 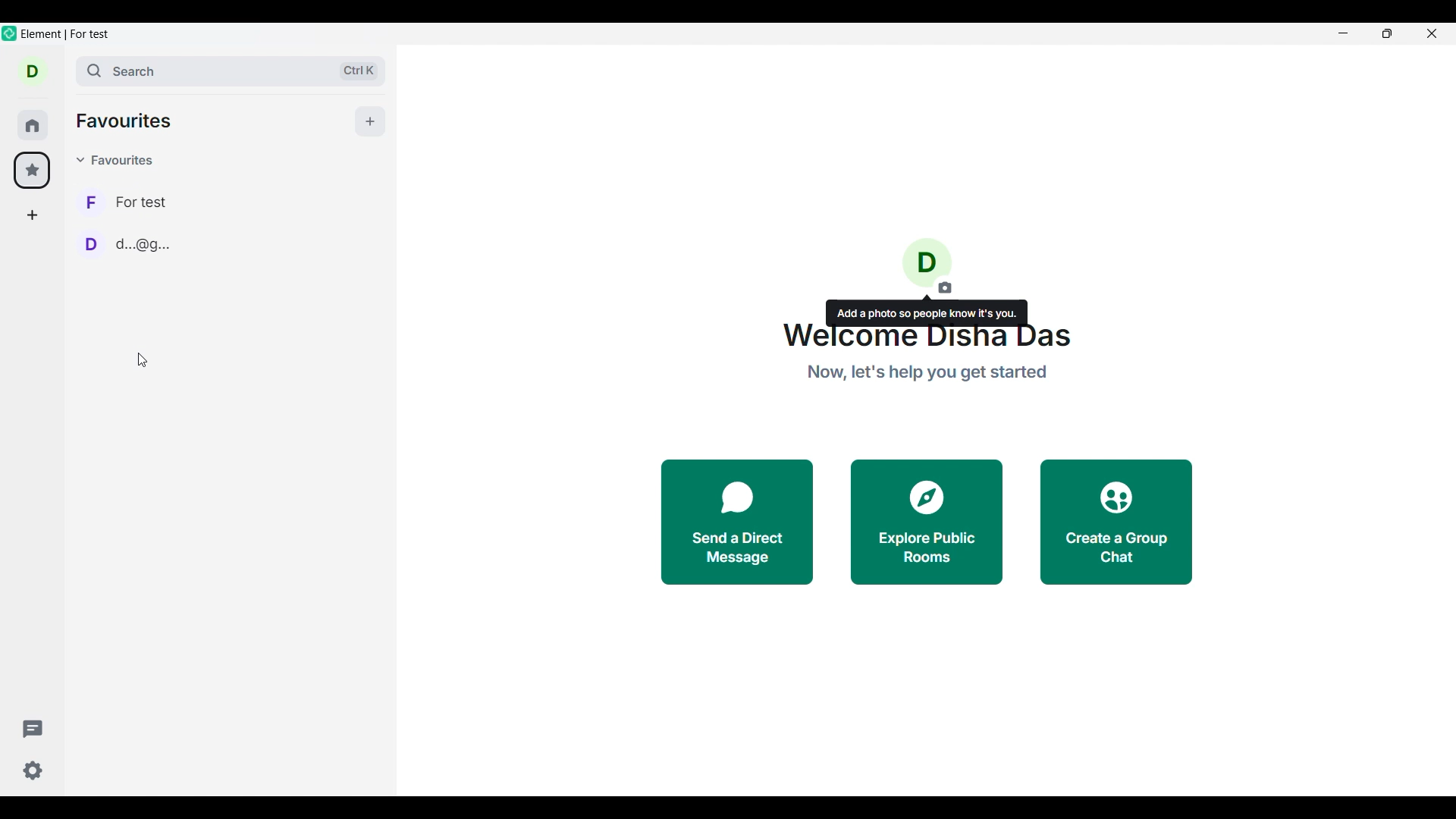 I want to click on favourites, so click(x=129, y=121).